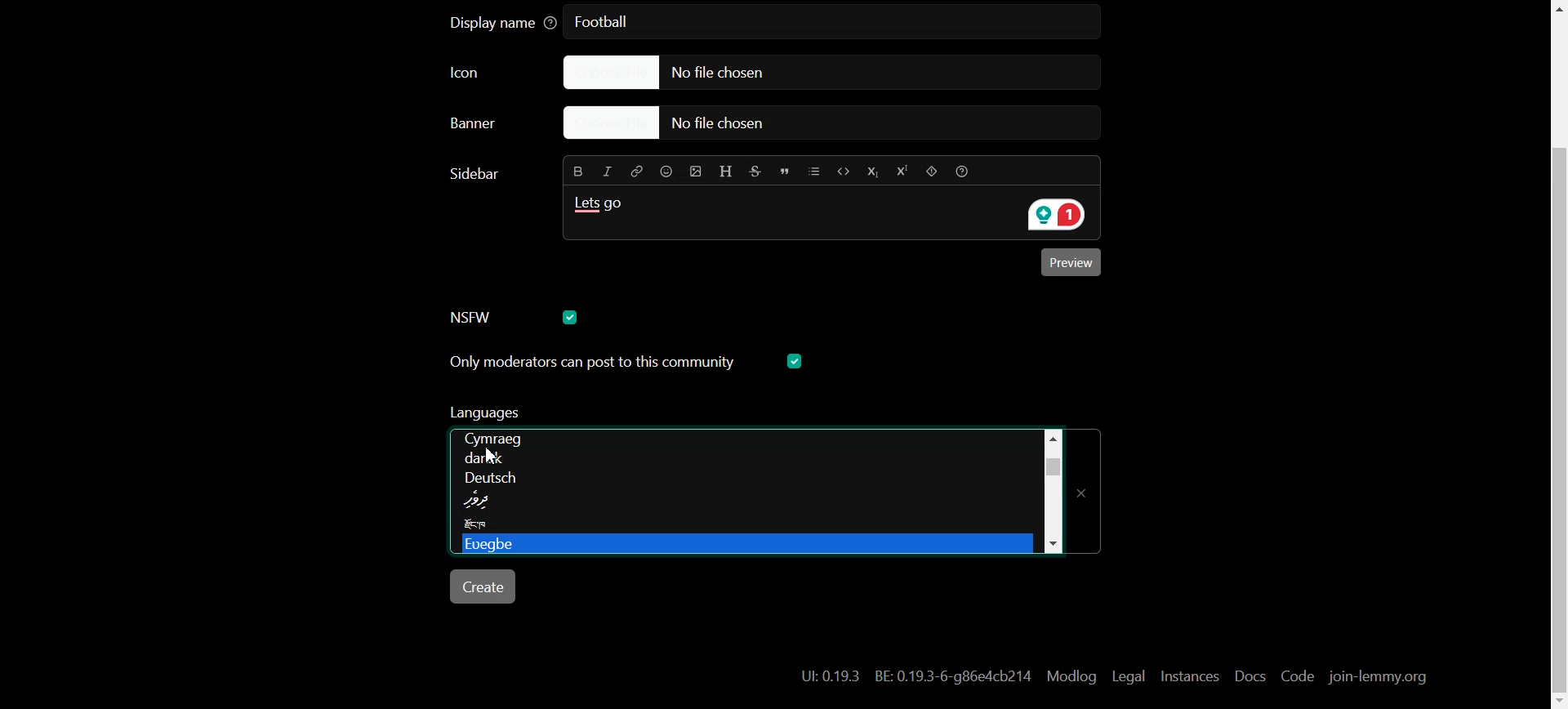  Describe the element at coordinates (1129, 676) in the screenshot. I see `Legal` at that location.